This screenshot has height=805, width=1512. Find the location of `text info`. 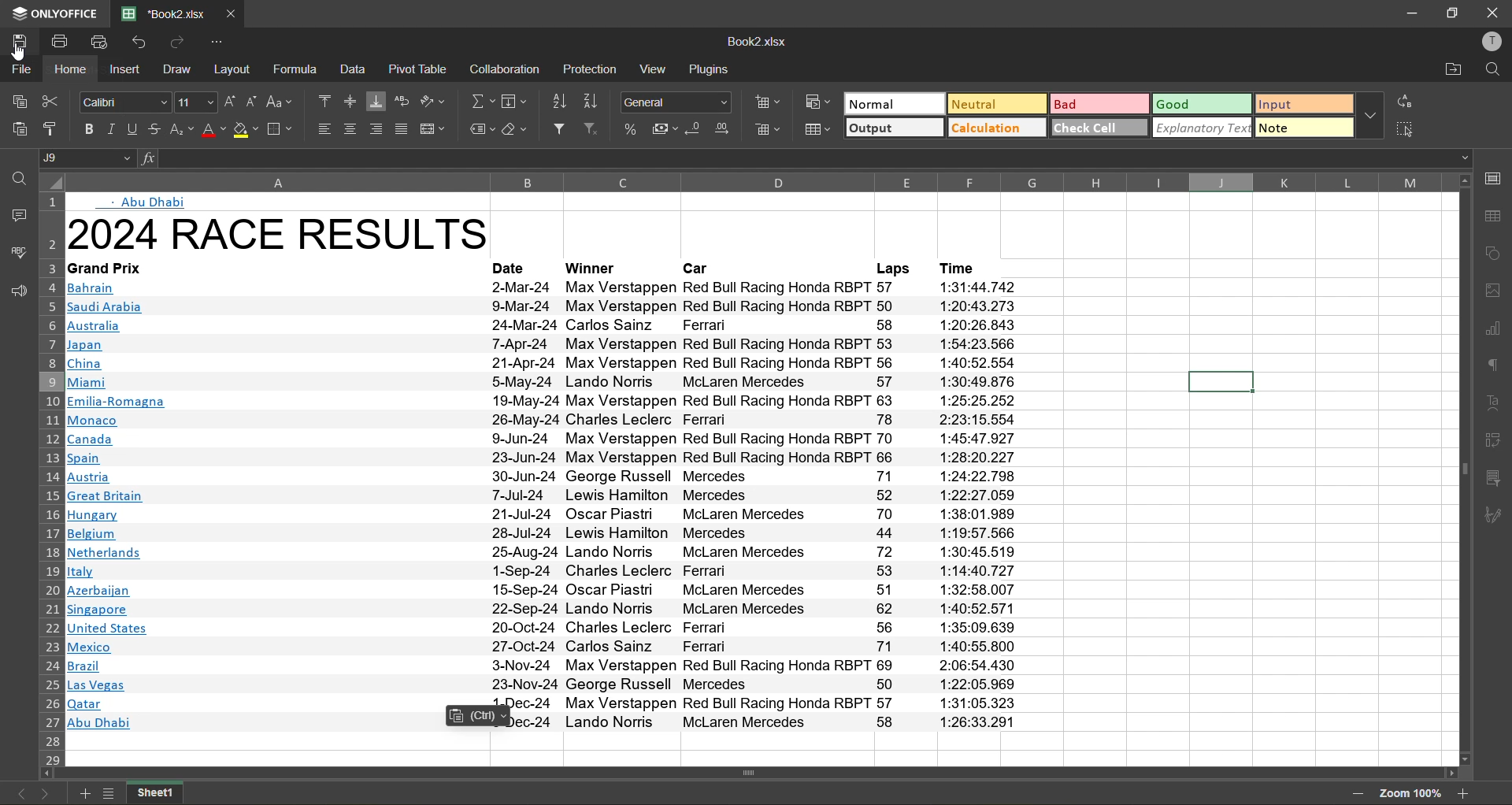

text info is located at coordinates (543, 571).